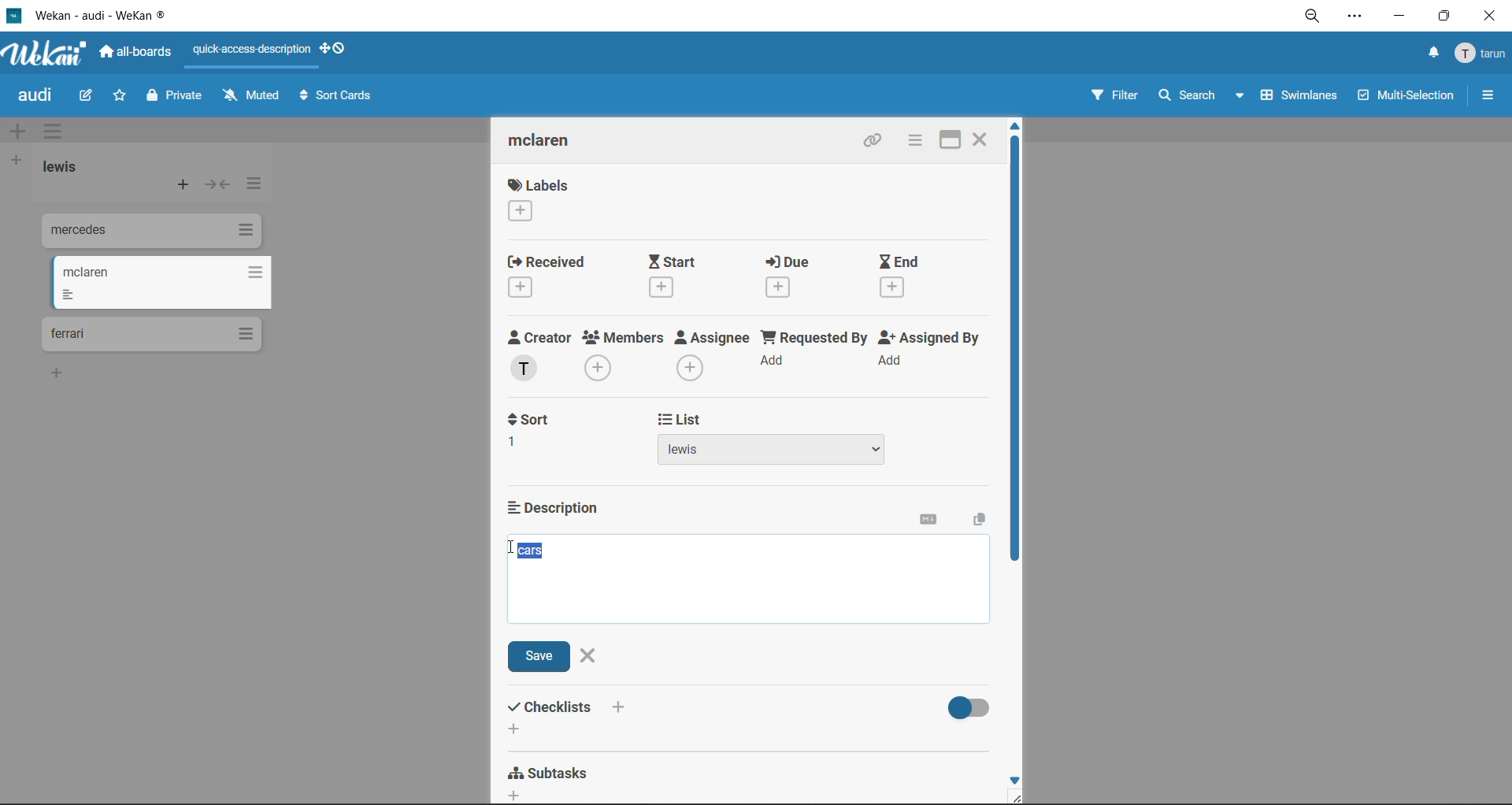 The height and width of the screenshot is (805, 1512). I want to click on labels, so click(539, 199).